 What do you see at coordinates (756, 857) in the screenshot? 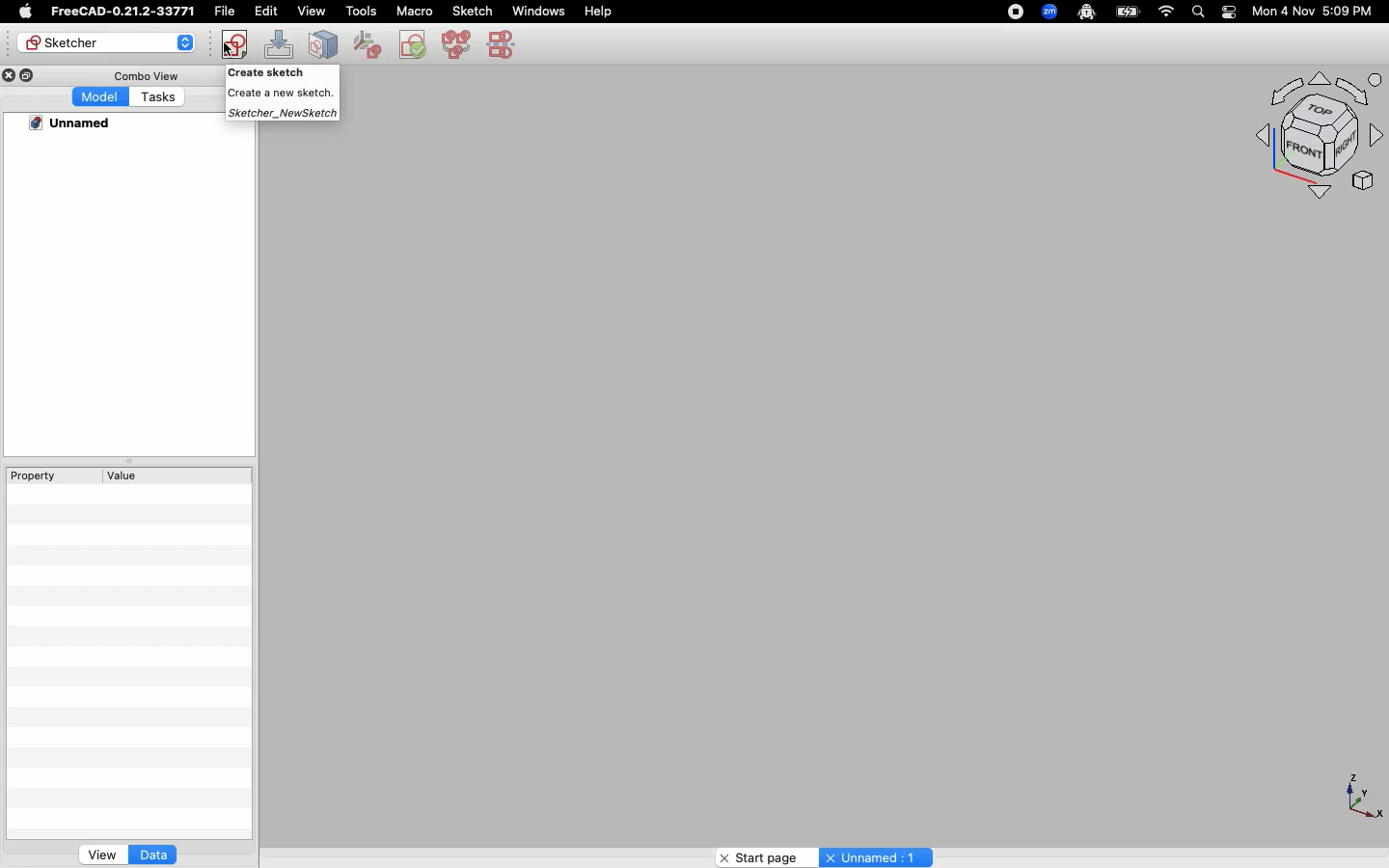
I see `Start page` at bounding box center [756, 857].